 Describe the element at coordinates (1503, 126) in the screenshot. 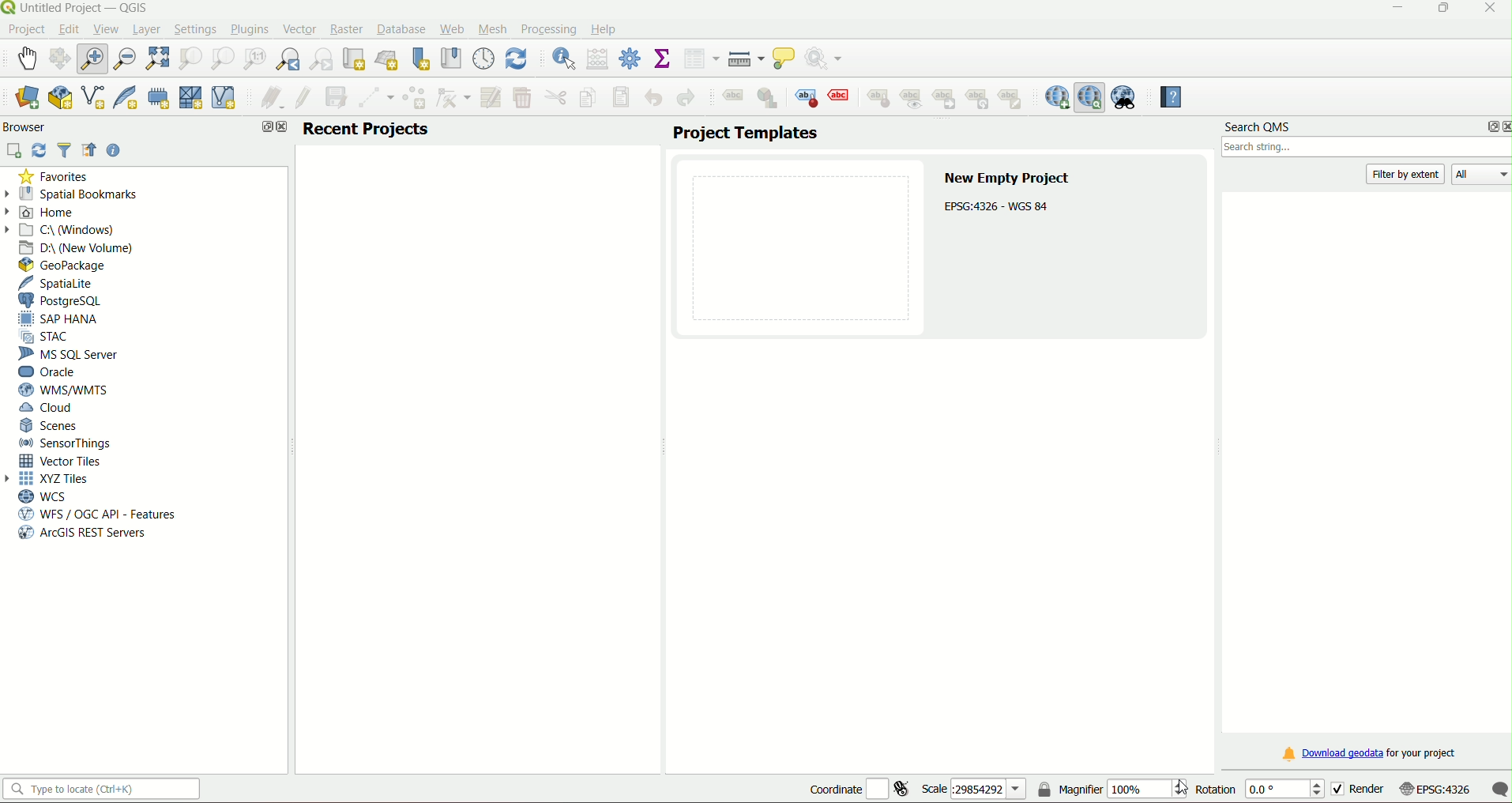

I see `close` at that location.